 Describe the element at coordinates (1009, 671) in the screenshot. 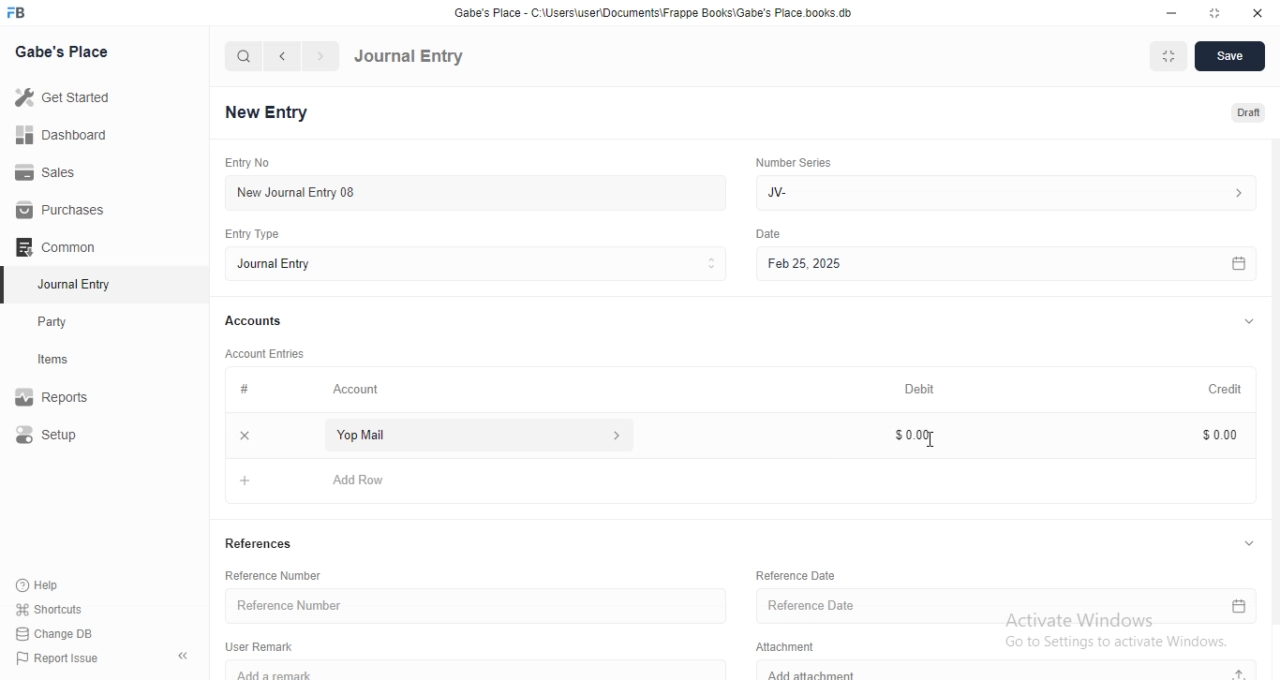

I see `Add attachment` at that location.